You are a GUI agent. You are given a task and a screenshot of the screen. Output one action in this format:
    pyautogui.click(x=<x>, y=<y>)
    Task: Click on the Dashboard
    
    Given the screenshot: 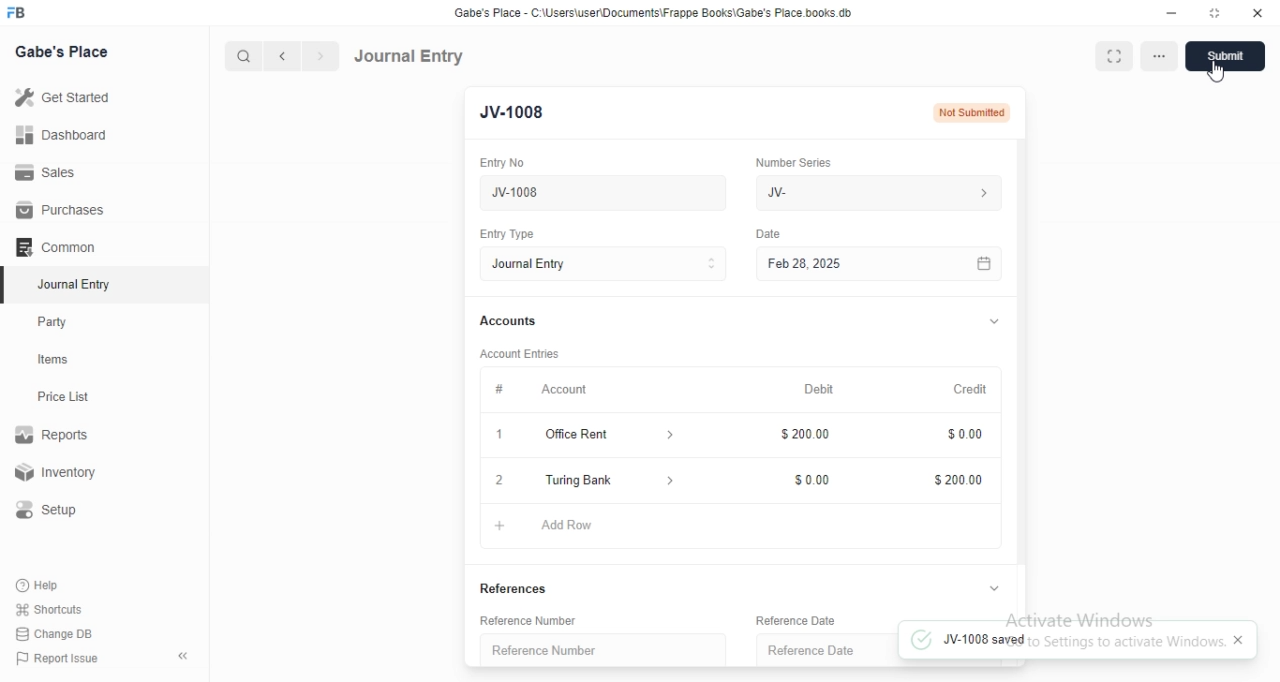 What is the action you would take?
    pyautogui.click(x=59, y=135)
    